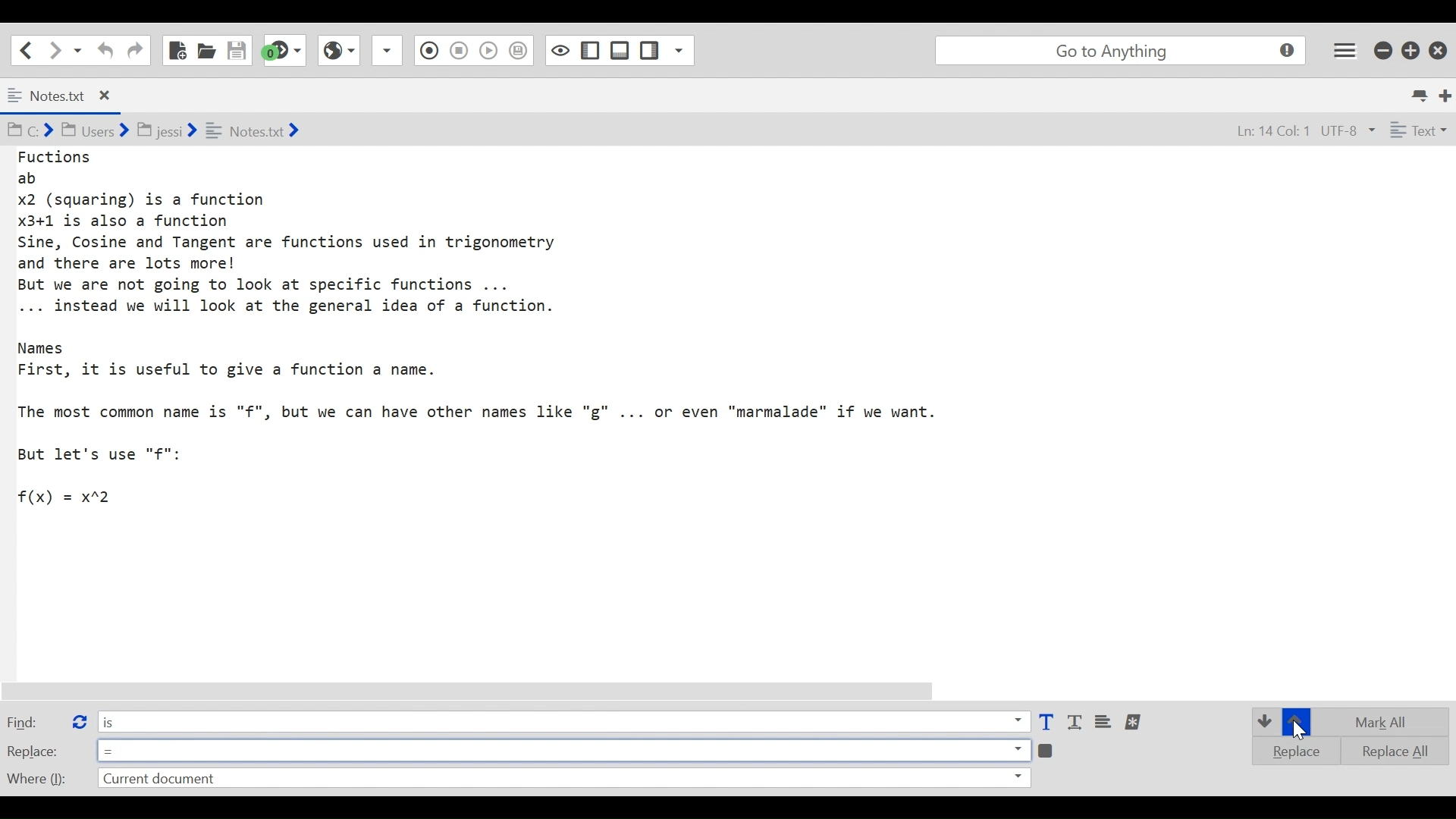  Describe the element at coordinates (563, 780) in the screenshot. I see `Where Field` at that location.